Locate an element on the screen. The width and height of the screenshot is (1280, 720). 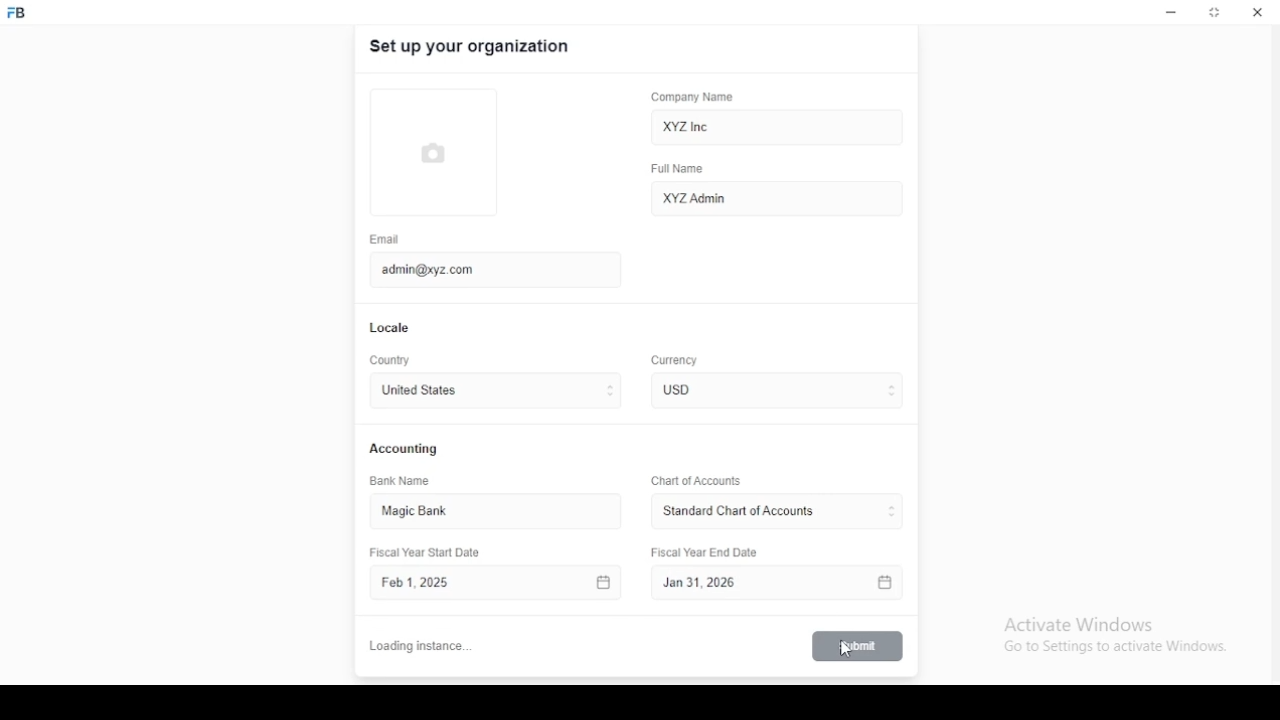
admin@xyz.com is located at coordinates (485, 268).